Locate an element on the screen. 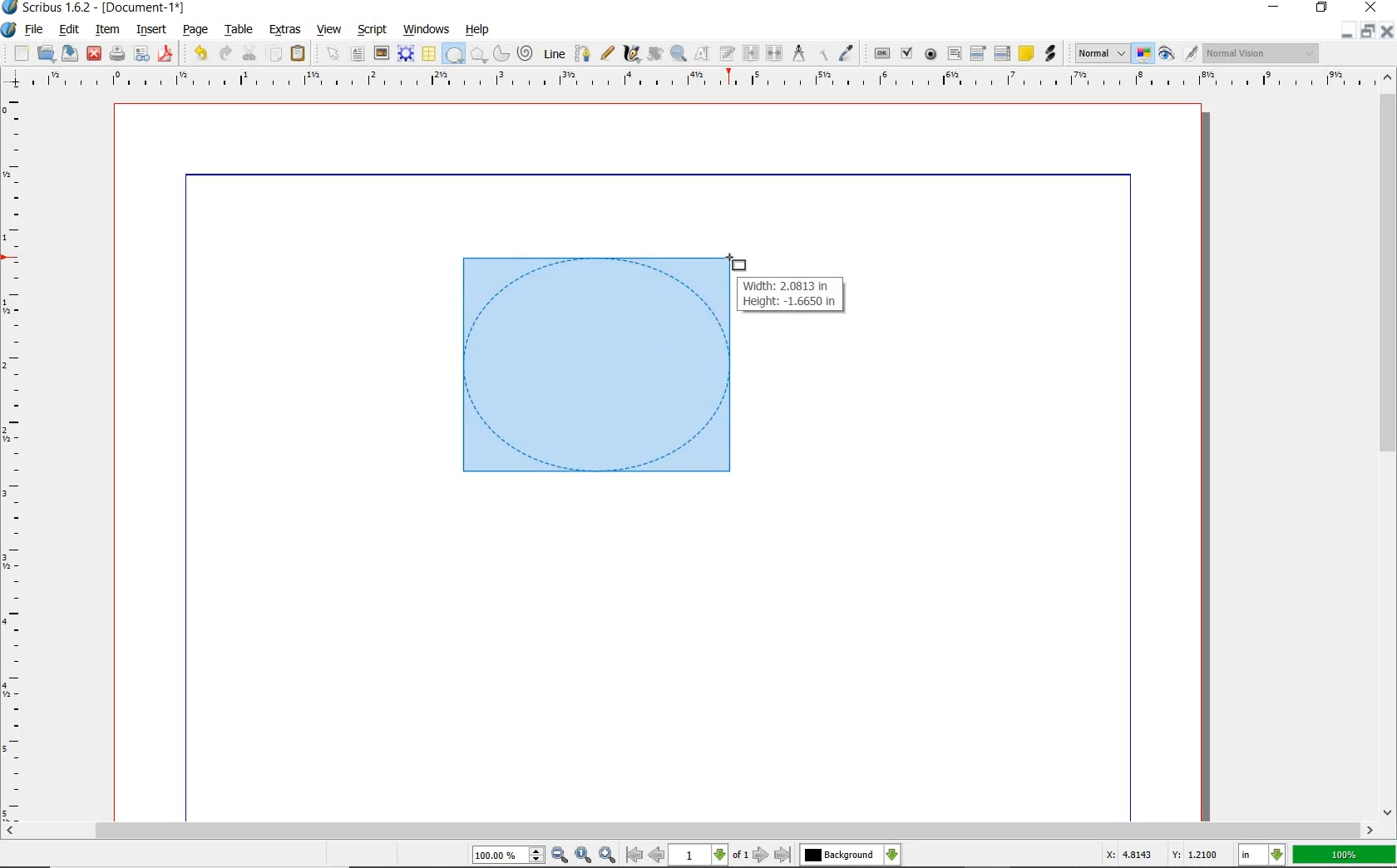 The image size is (1397, 868). select current unit is located at coordinates (1261, 853).